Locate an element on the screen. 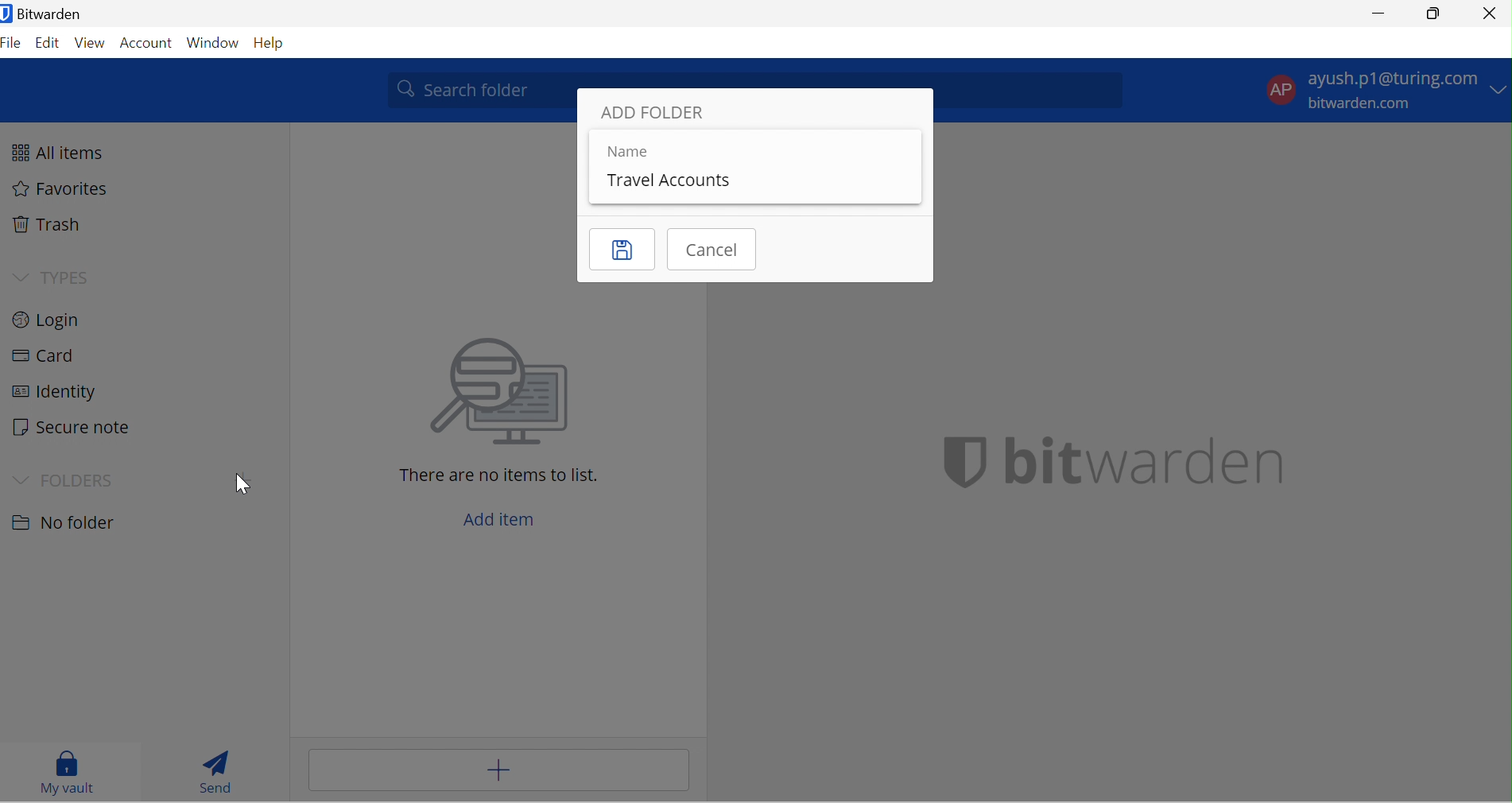 This screenshot has height=803, width=1512. Add item is located at coordinates (498, 771).